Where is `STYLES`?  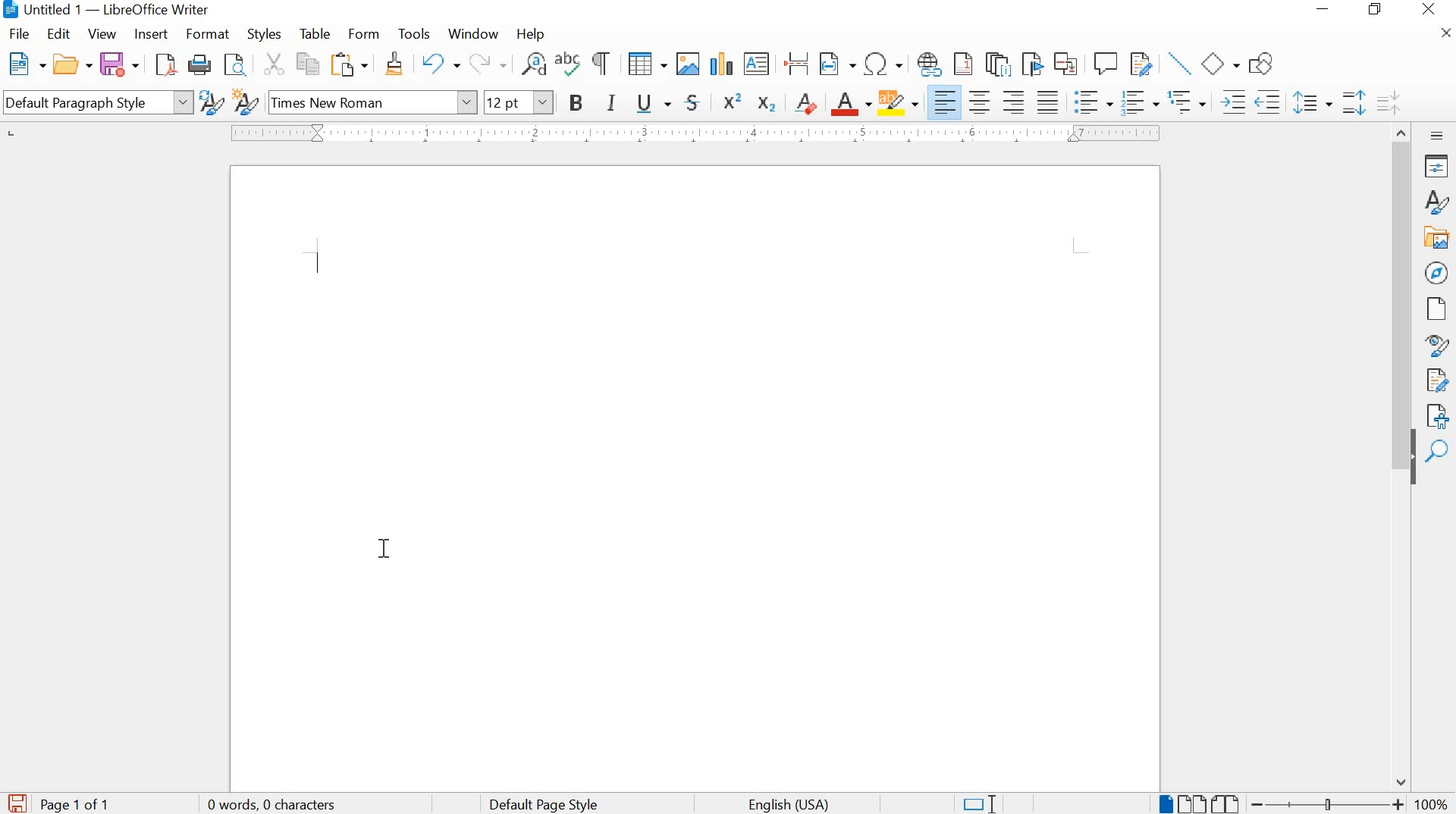
STYLES is located at coordinates (1437, 202).